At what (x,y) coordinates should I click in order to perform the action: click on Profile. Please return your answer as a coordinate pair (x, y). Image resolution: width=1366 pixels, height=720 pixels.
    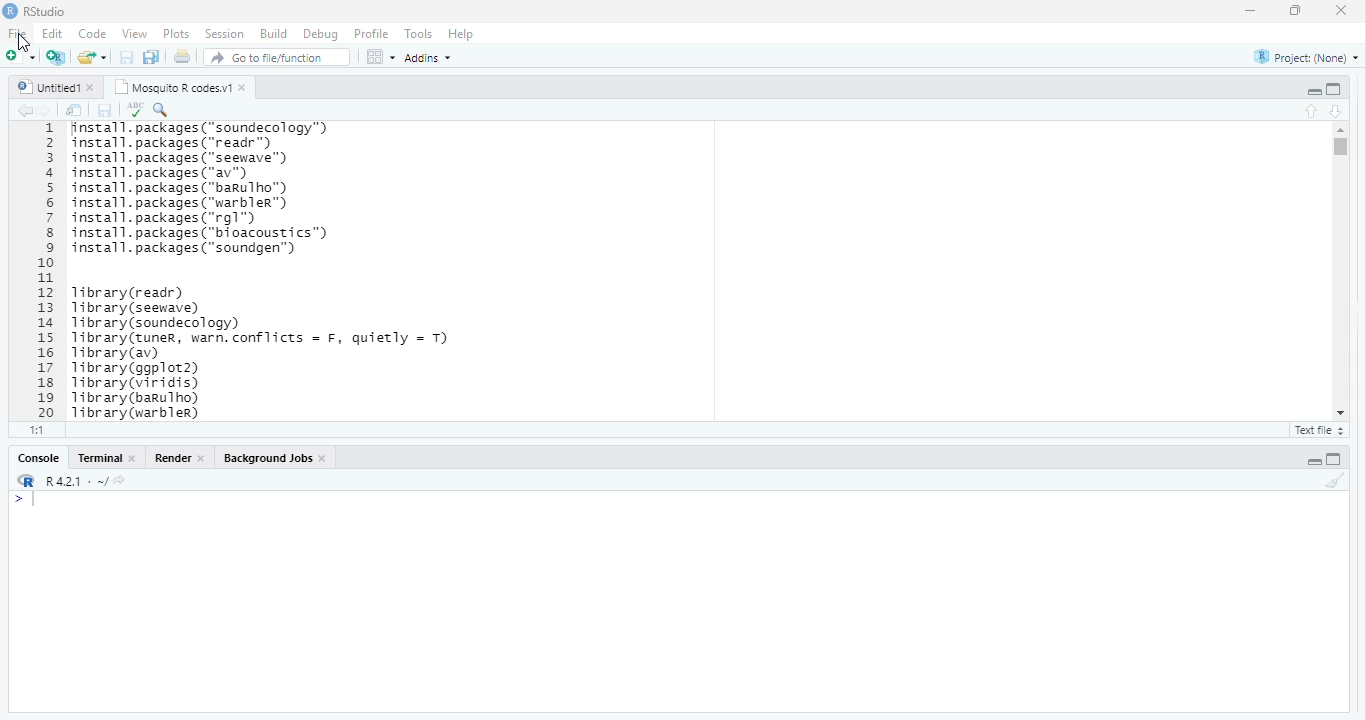
    Looking at the image, I should click on (373, 33).